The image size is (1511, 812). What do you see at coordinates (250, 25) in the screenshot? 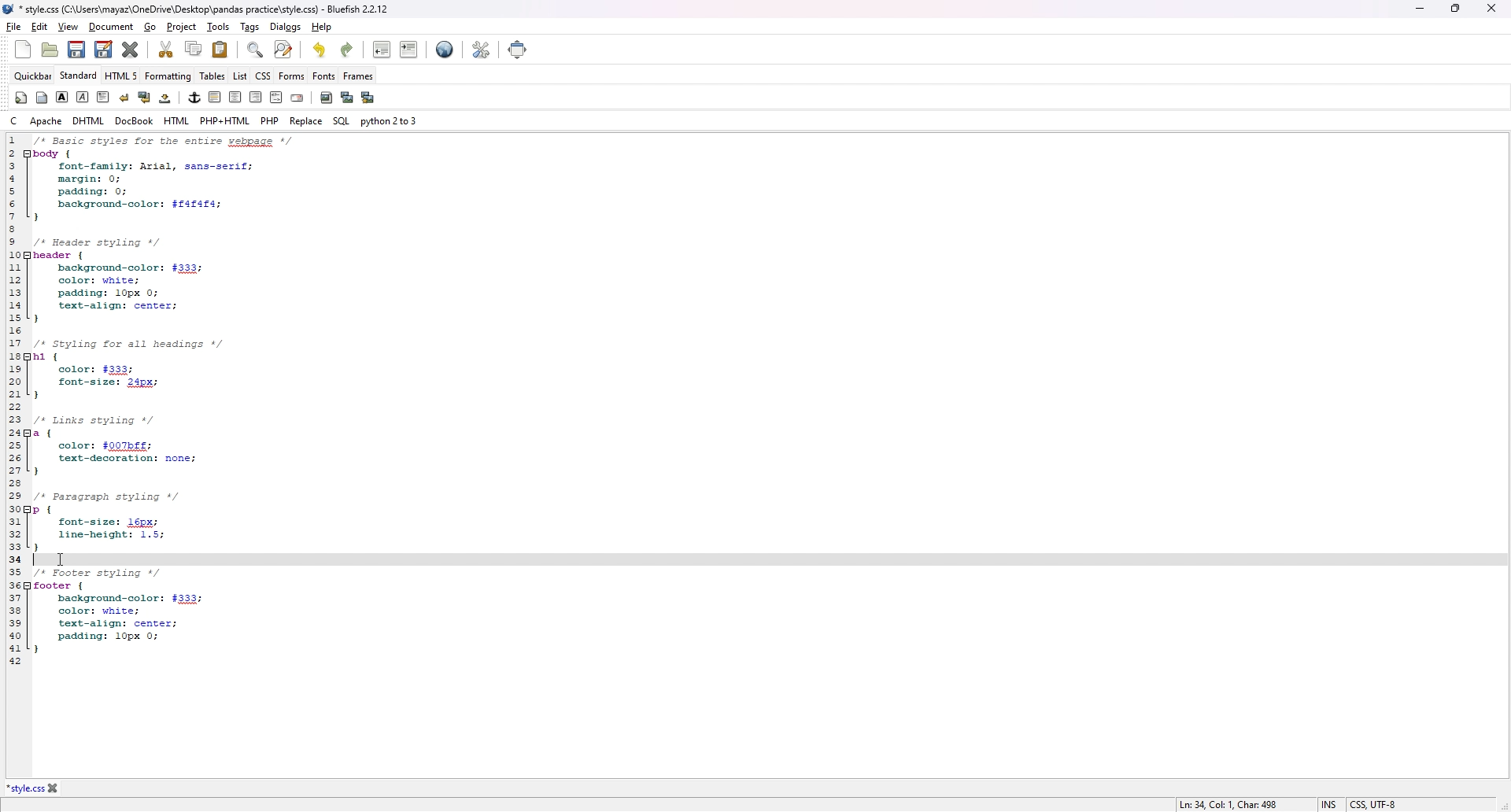
I see `tags` at bounding box center [250, 25].